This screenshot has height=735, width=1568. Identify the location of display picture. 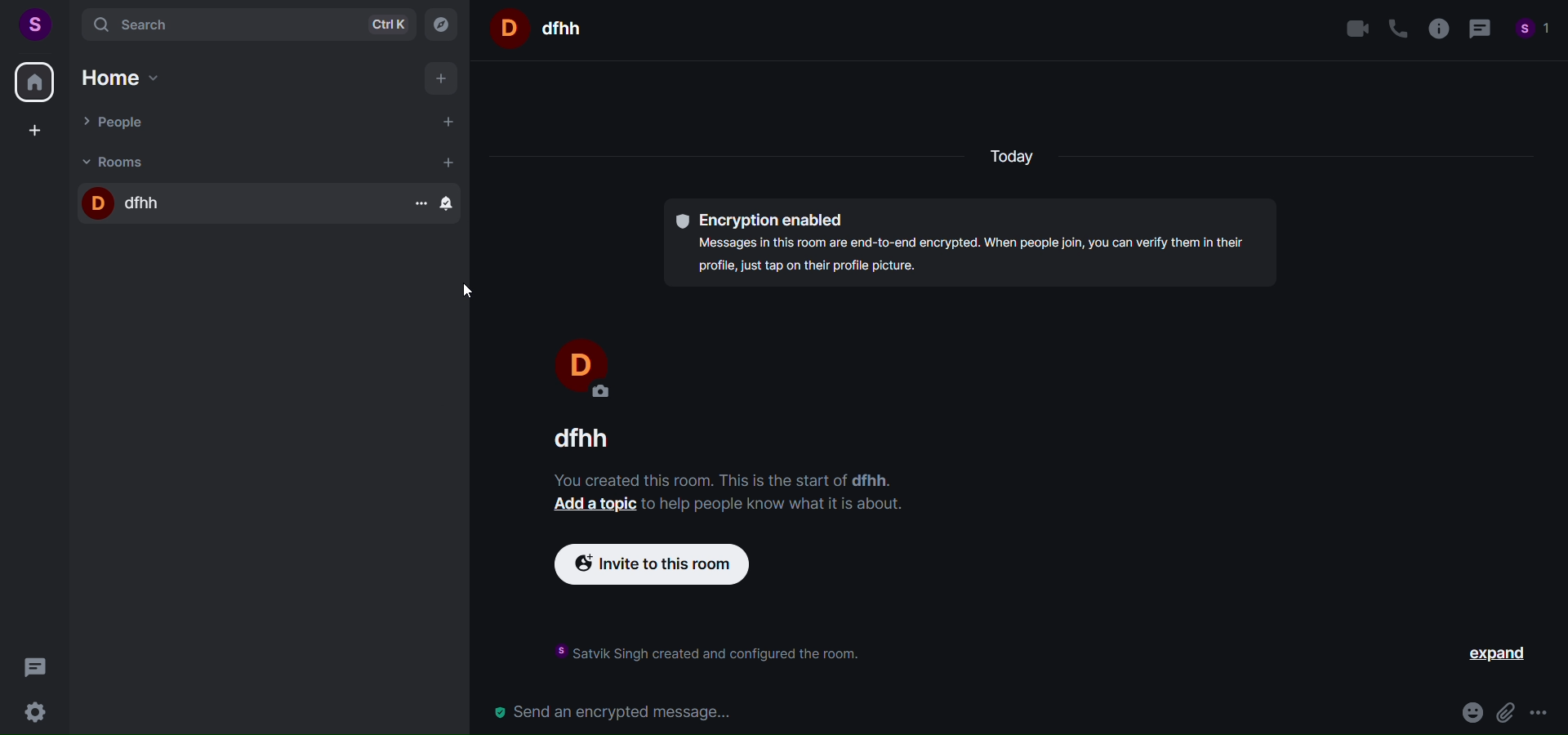
(578, 364).